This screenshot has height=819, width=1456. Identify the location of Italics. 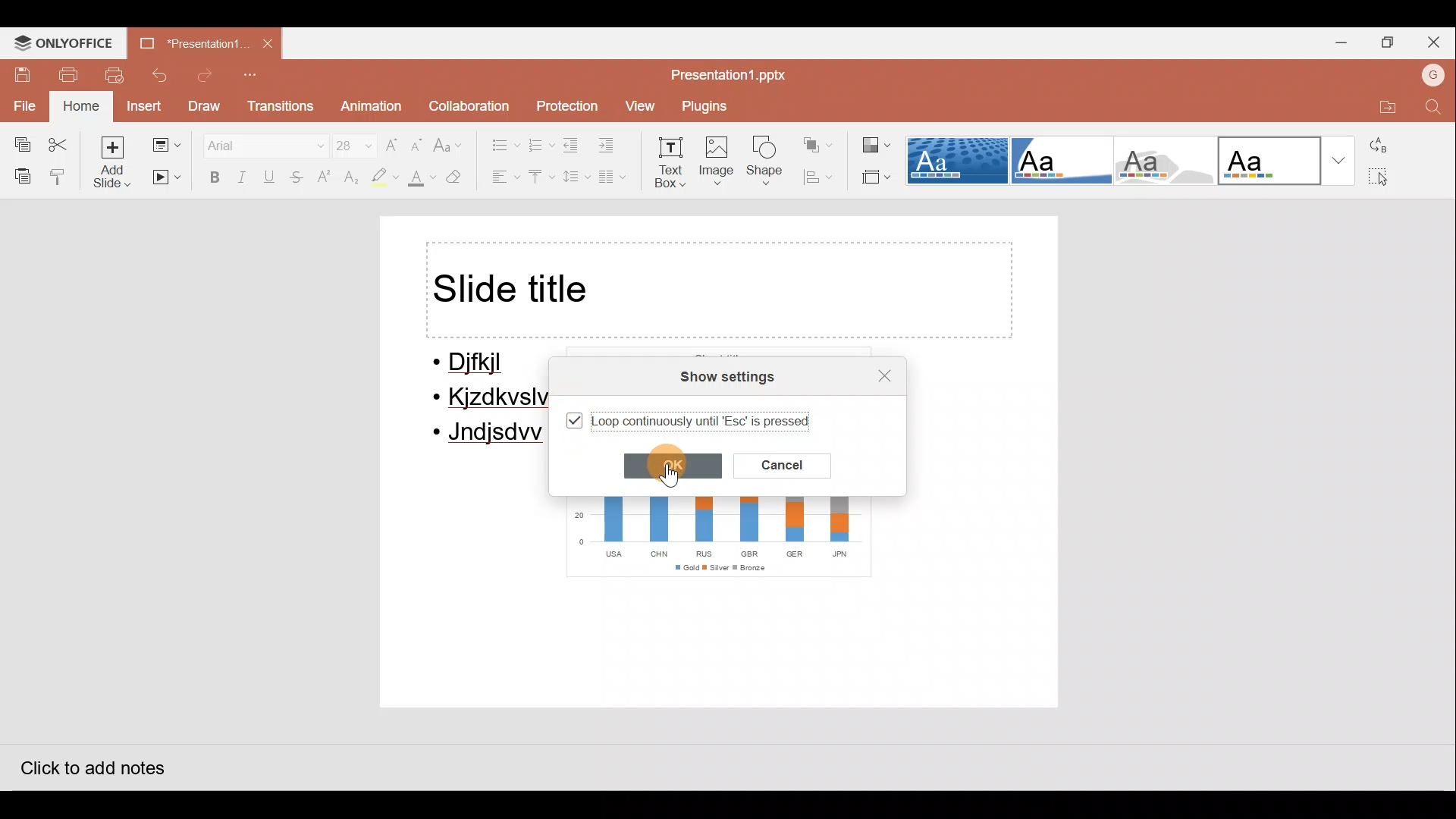
(238, 174).